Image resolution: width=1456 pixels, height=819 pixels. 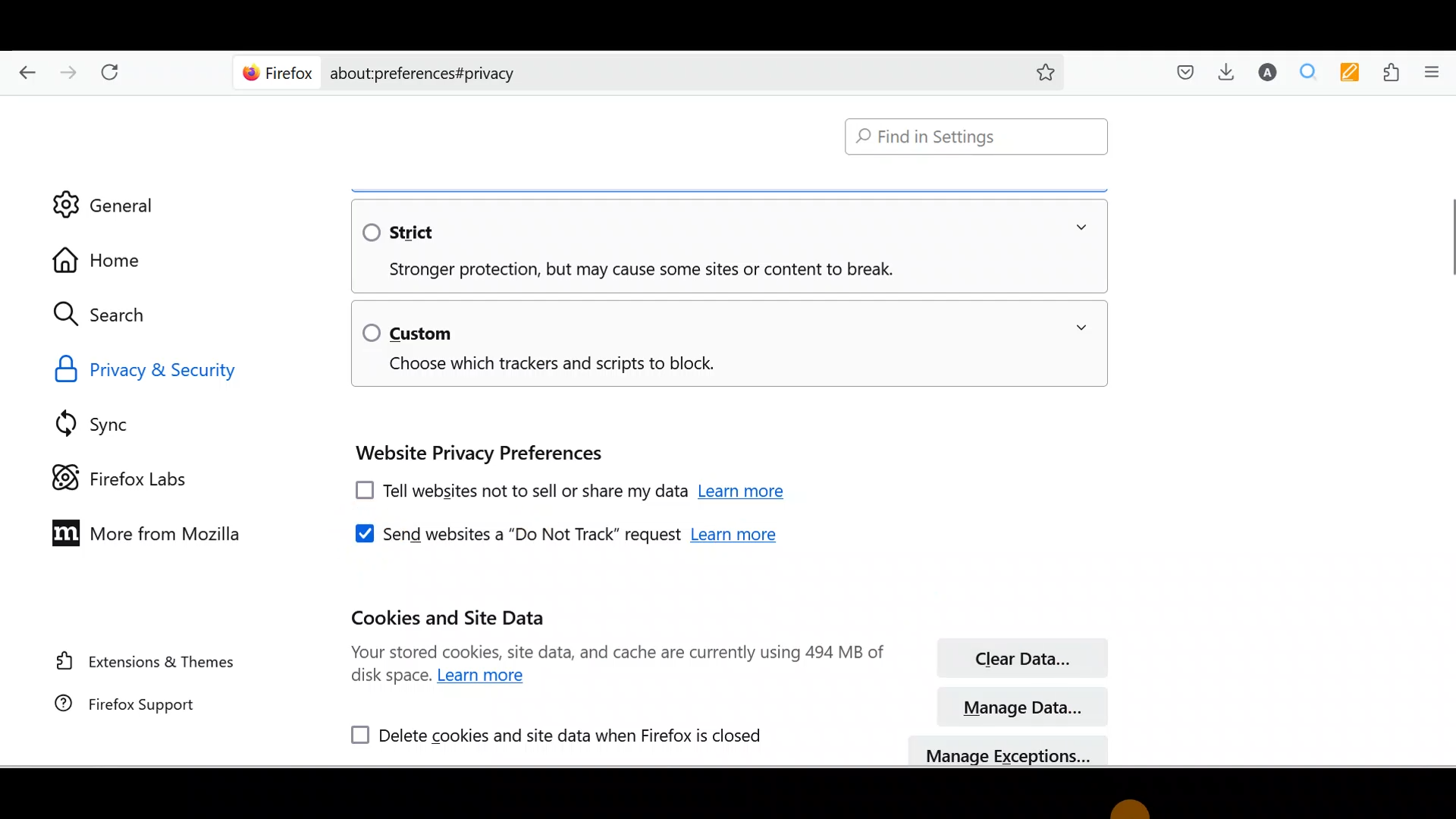 I want to click on Cookies and site data, so click(x=453, y=618).